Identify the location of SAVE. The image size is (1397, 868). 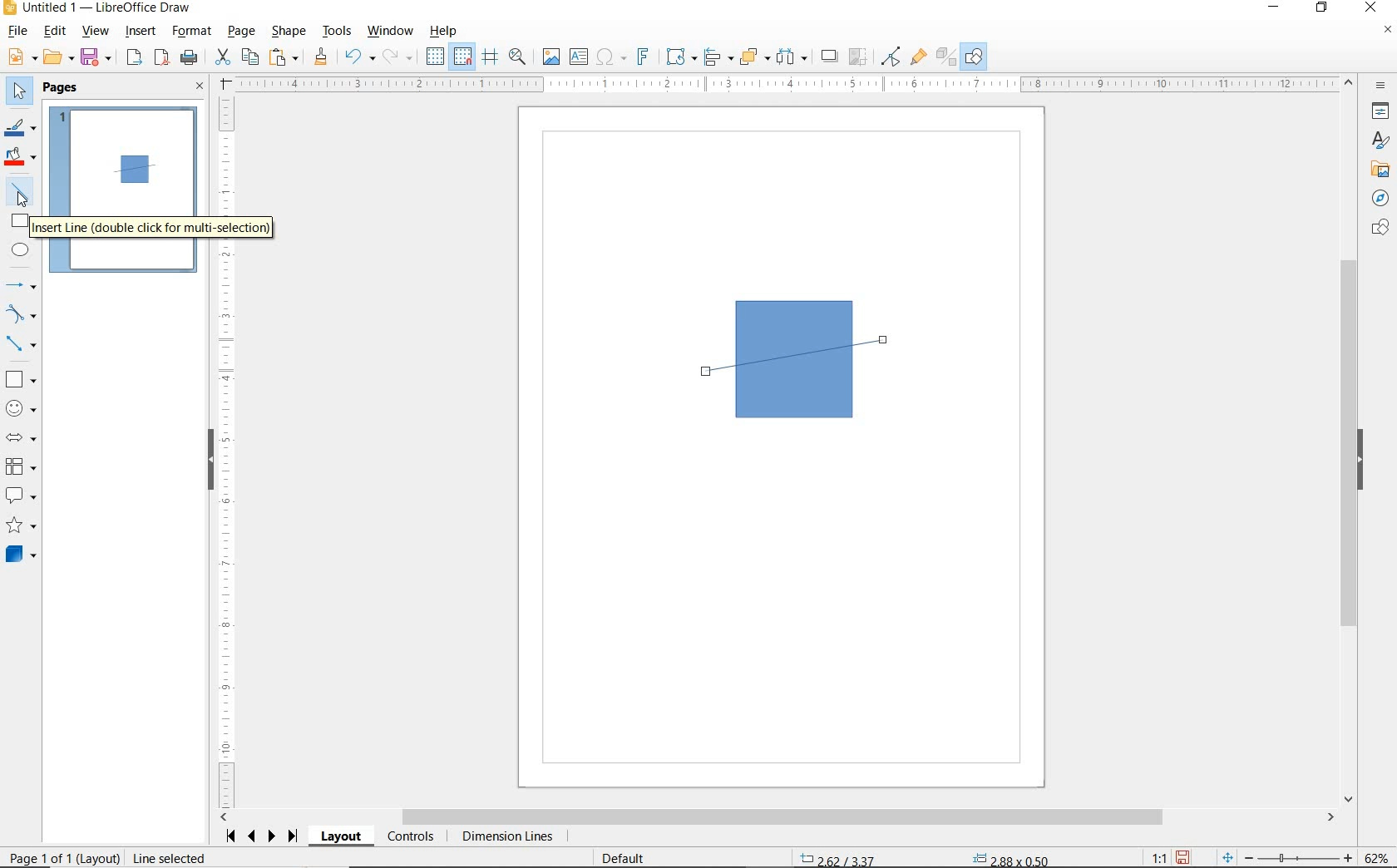
(97, 58).